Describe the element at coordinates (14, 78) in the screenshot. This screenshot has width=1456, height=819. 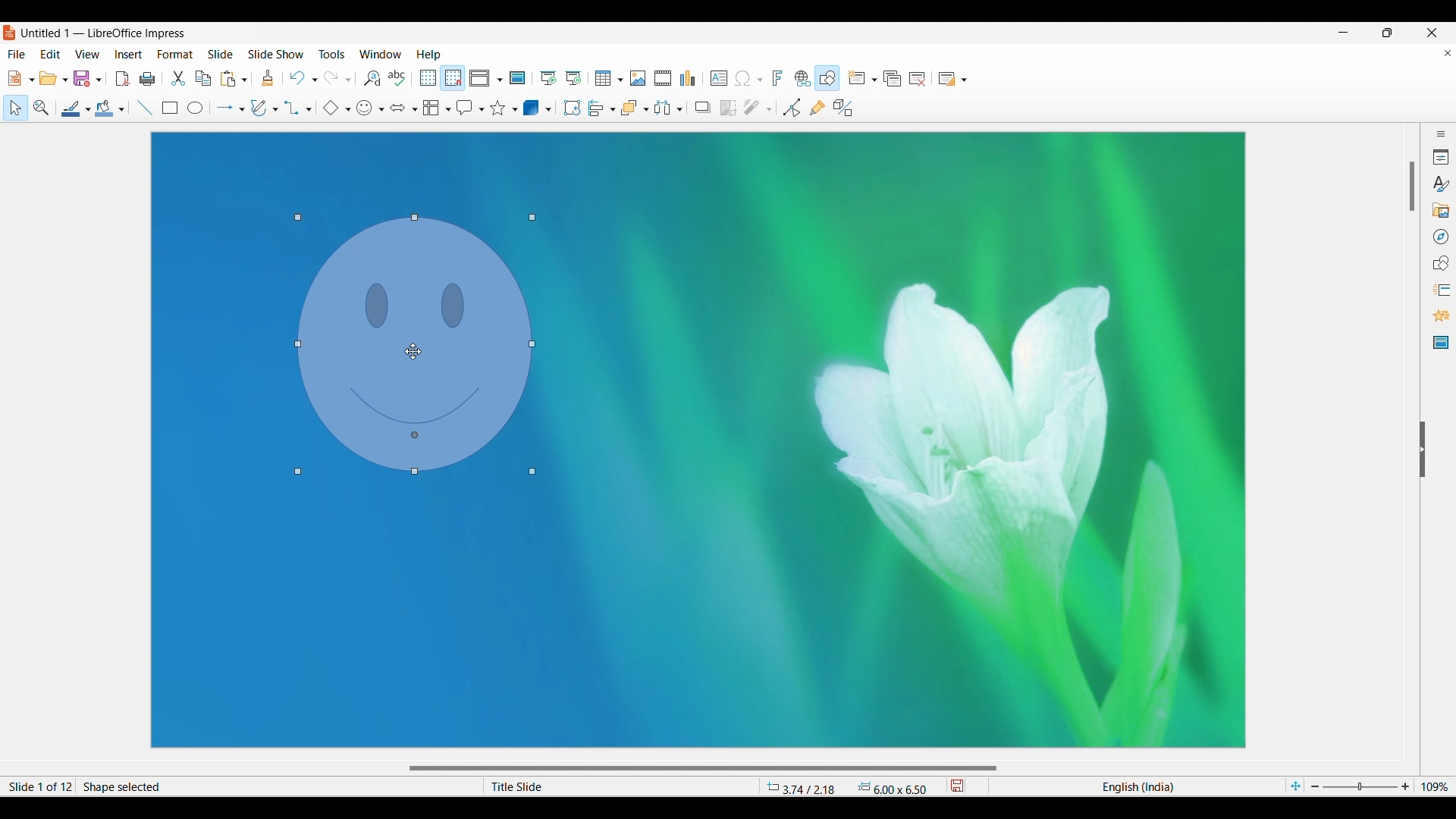
I see `New` at that location.